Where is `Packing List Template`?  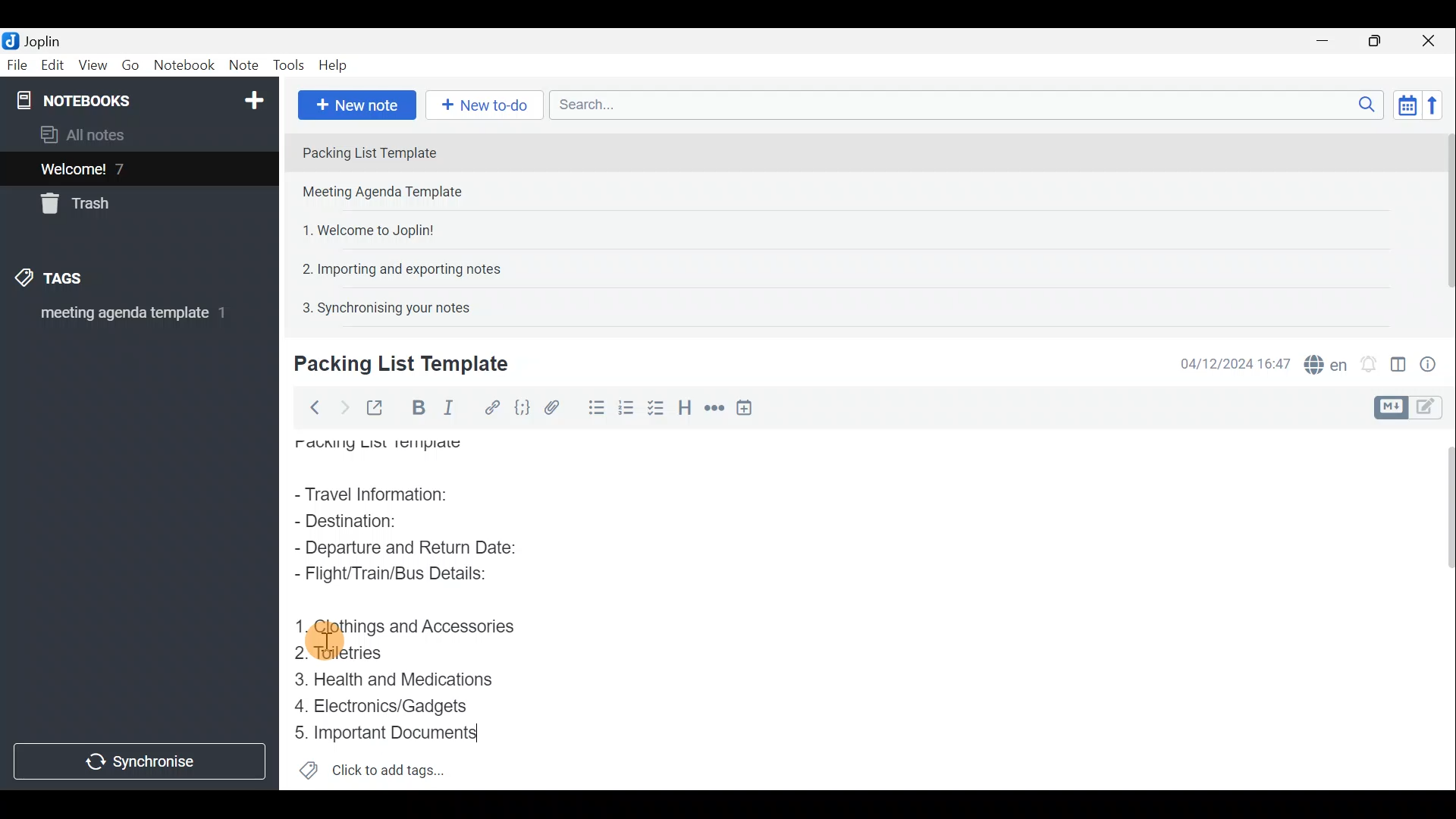
Packing List Template is located at coordinates (375, 446).